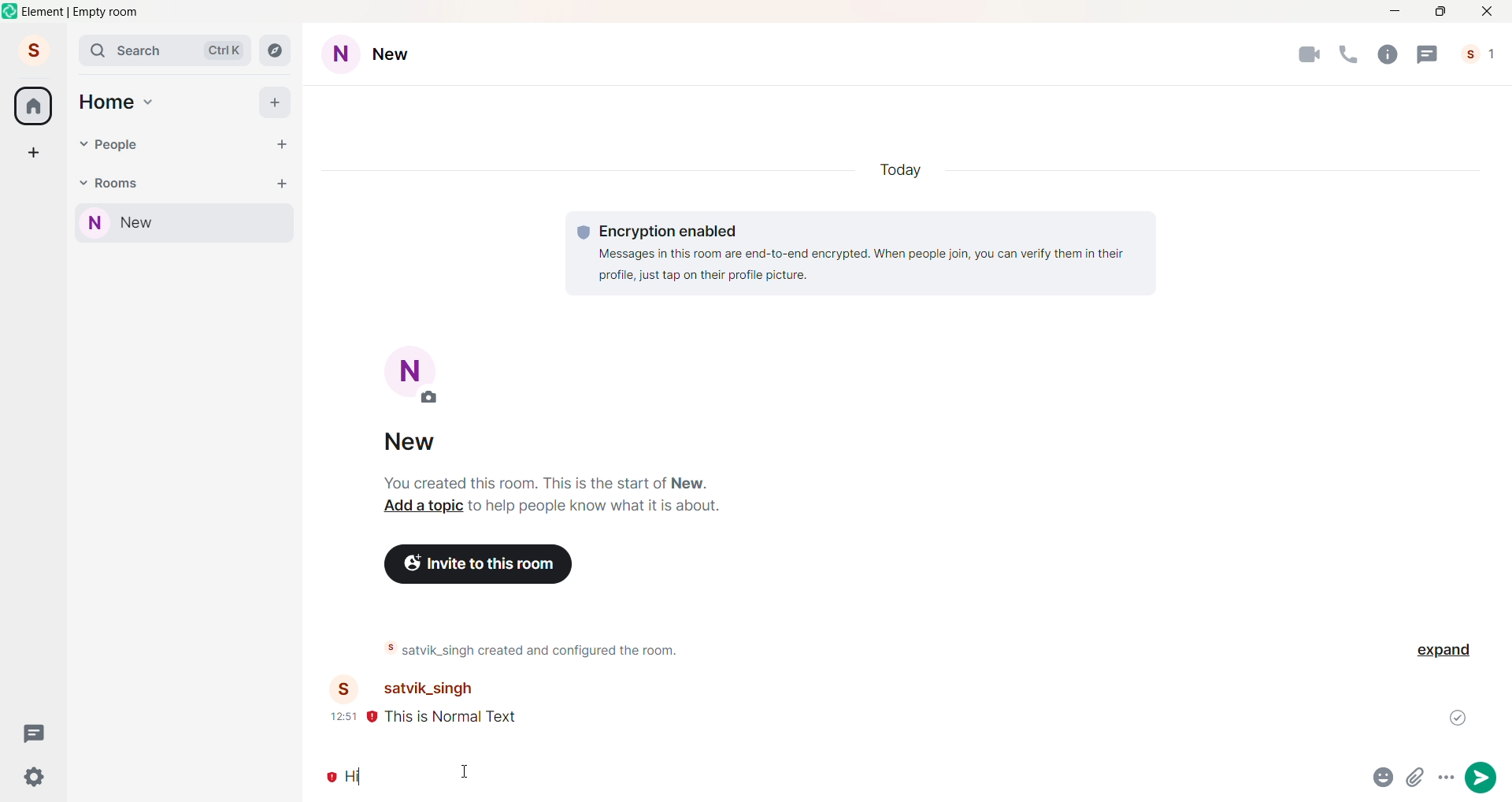  Describe the element at coordinates (1386, 54) in the screenshot. I see `Room Info` at that location.